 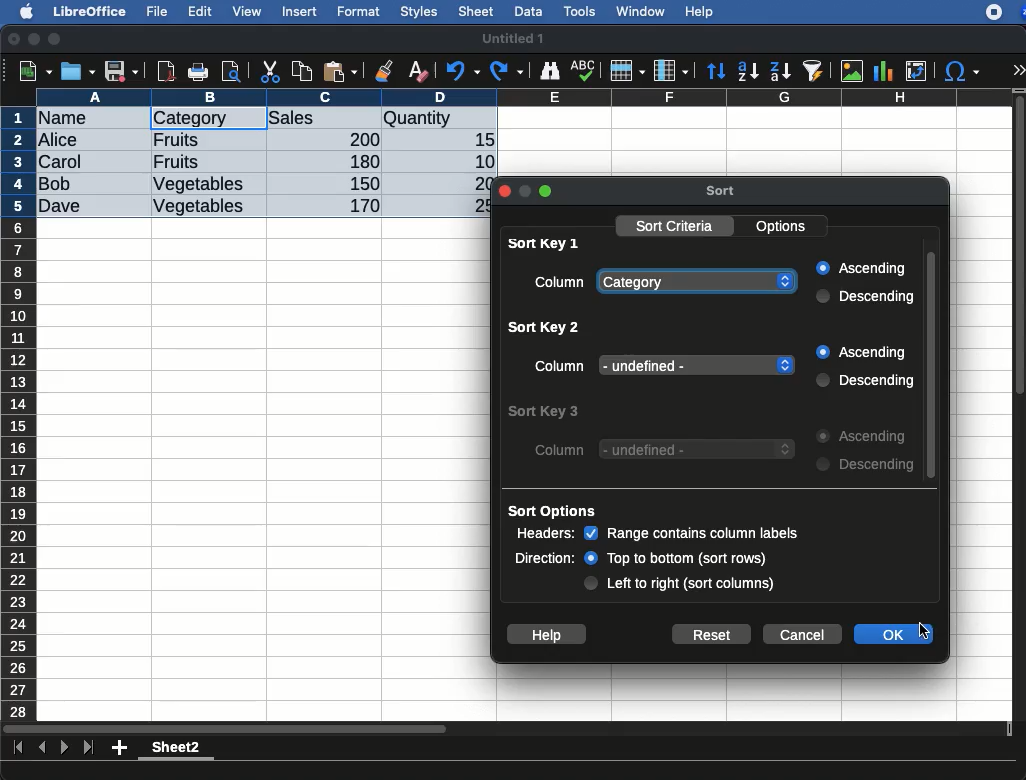 What do you see at coordinates (88, 748) in the screenshot?
I see `last sheet` at bounding box center [88, 748].